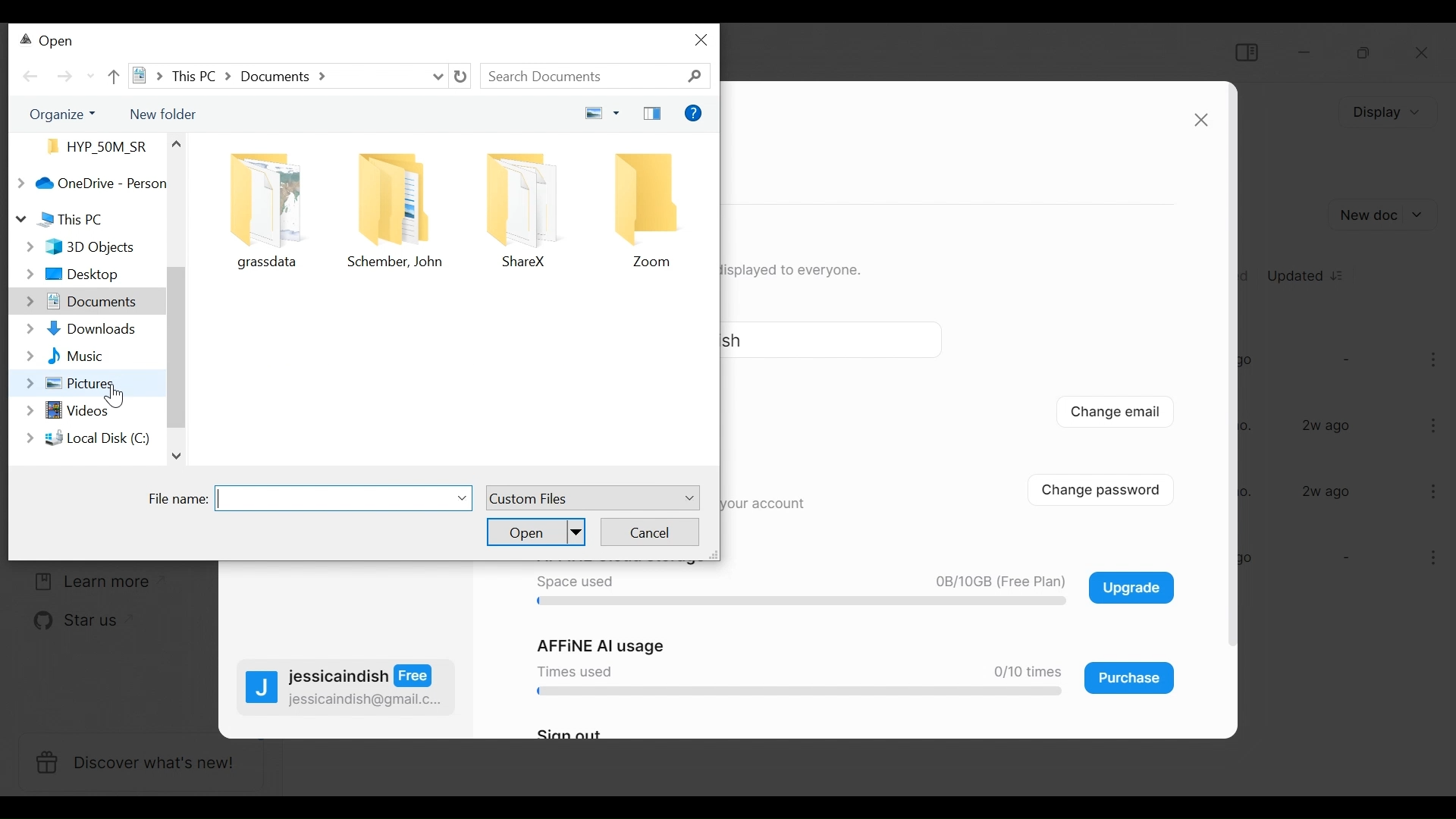 This screenshot has width=1456, height=819. What do you see at coordinates (654, 262) in the screenshot?
I see `Zoom` at bounding box center [654, 262].